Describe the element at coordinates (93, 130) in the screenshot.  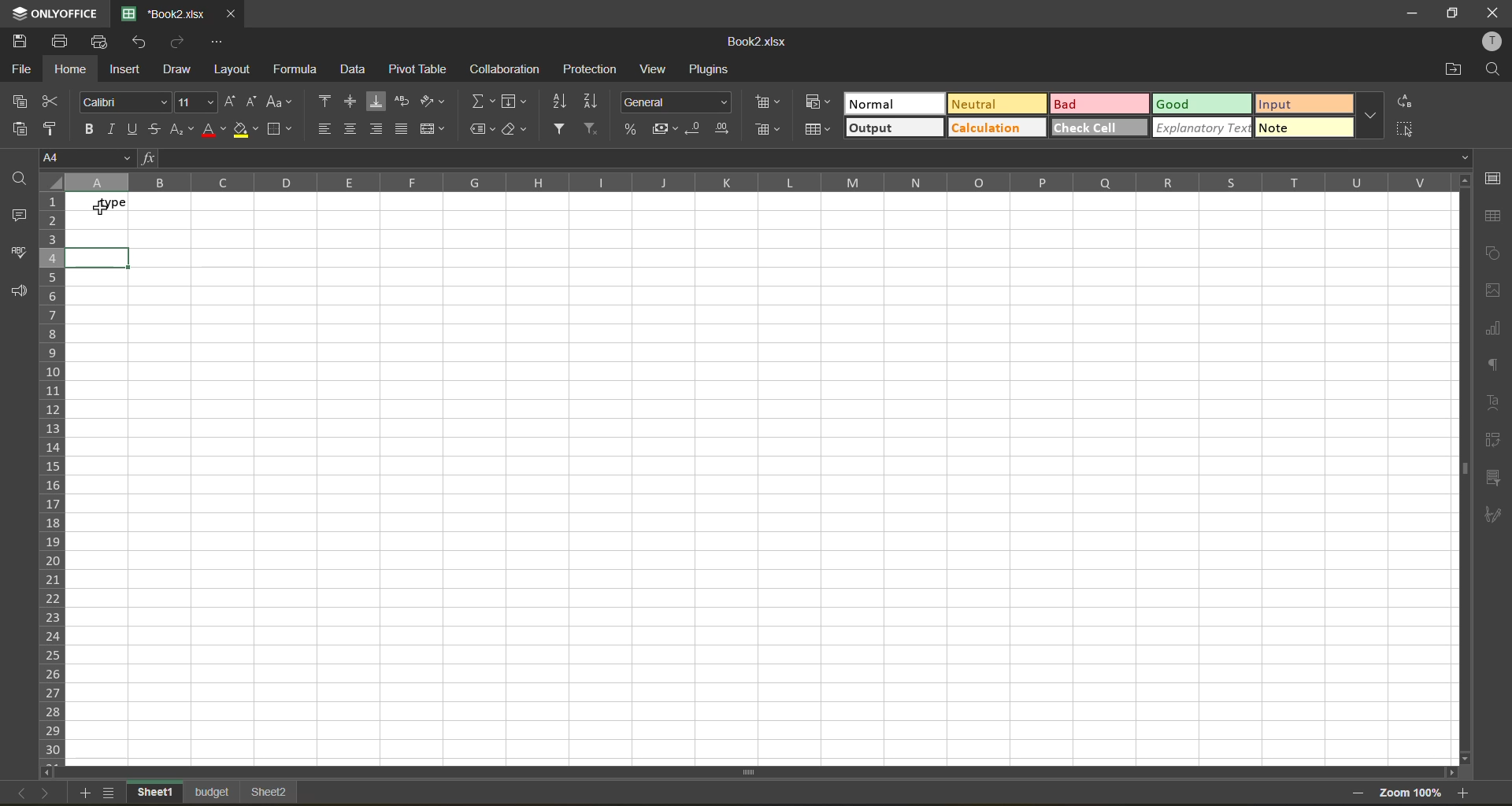
I see `bold` at that location.